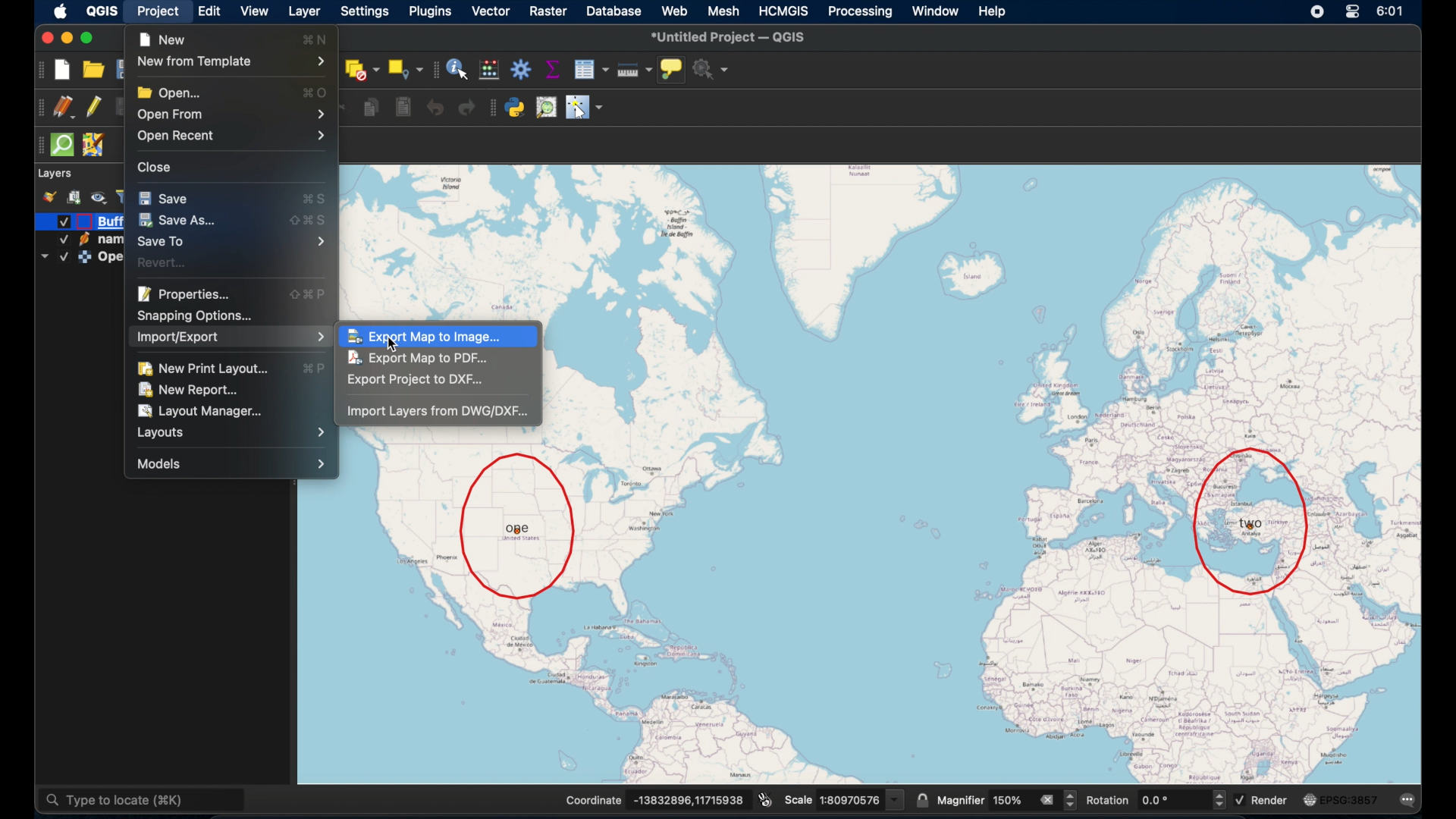 The image size is (1456, 819). I want to click on save, so click(163, 197).